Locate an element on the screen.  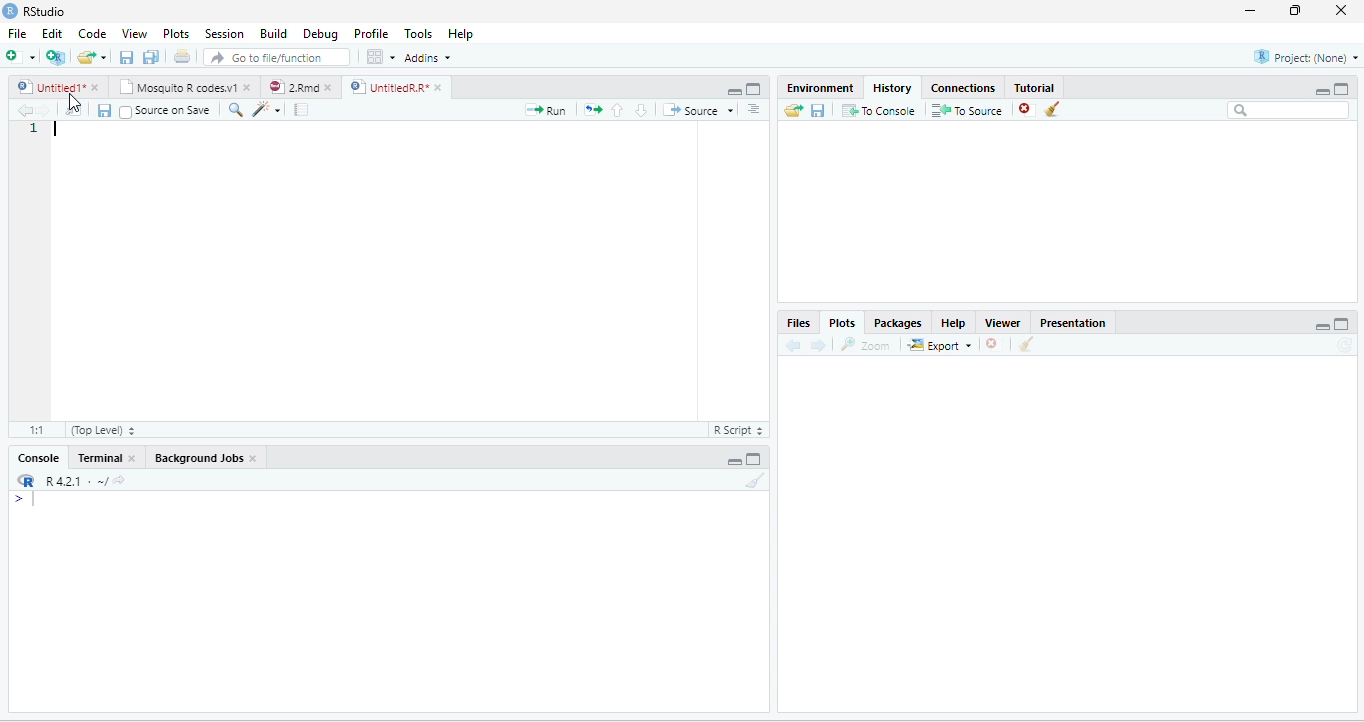
Compile Report is located at coordinates (301, 110).